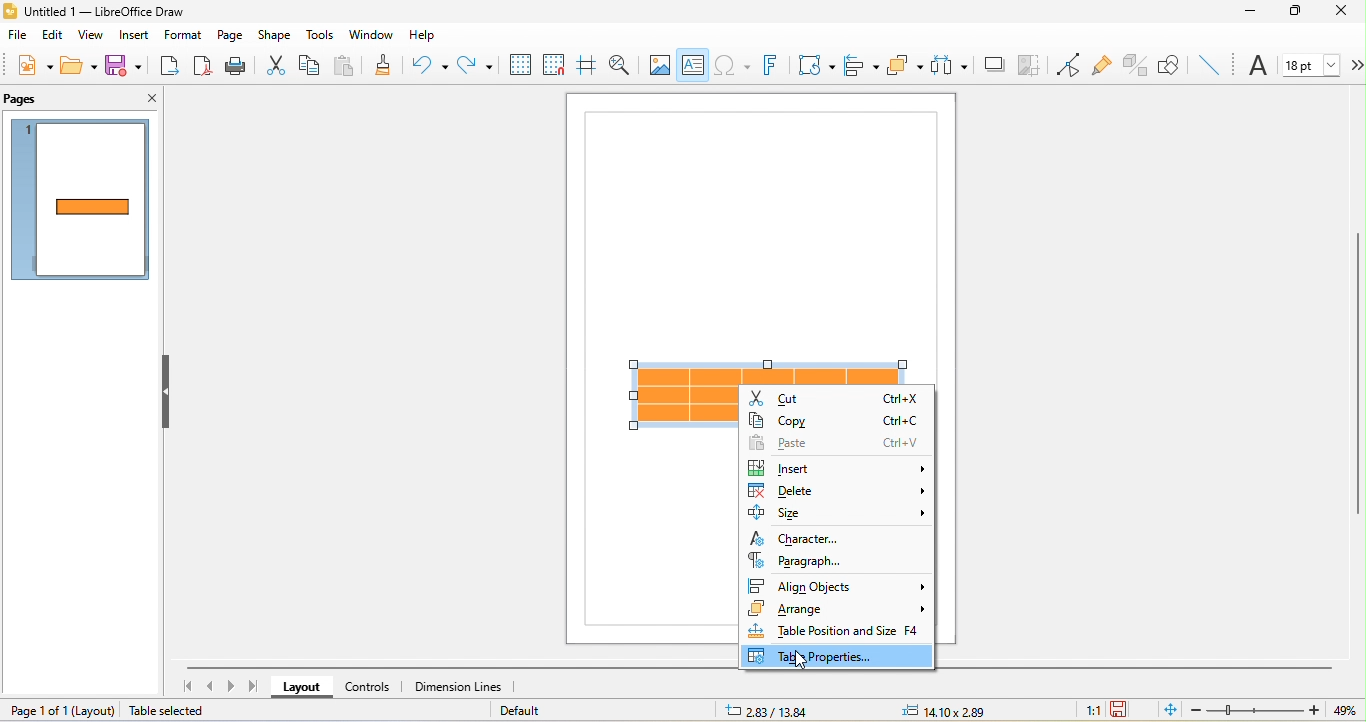 Image resolution: width=1366 pixels, height=722 pixels. What do you see at coordinates (1168, 710) in the screenshot?
I see `fit page to current window` at bounding box center [1168, 710].